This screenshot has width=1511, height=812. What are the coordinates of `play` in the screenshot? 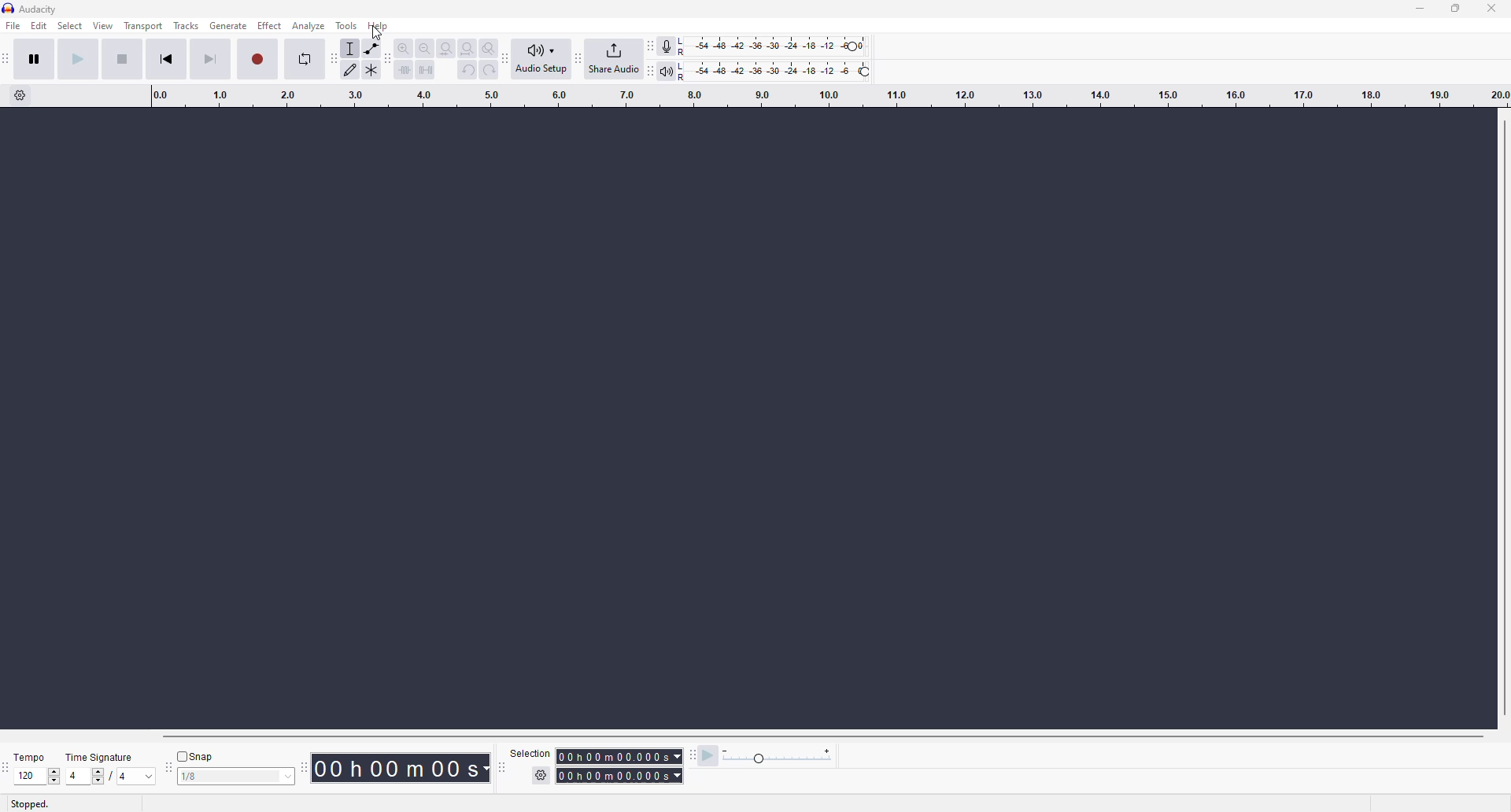 It's located at (77, 61).